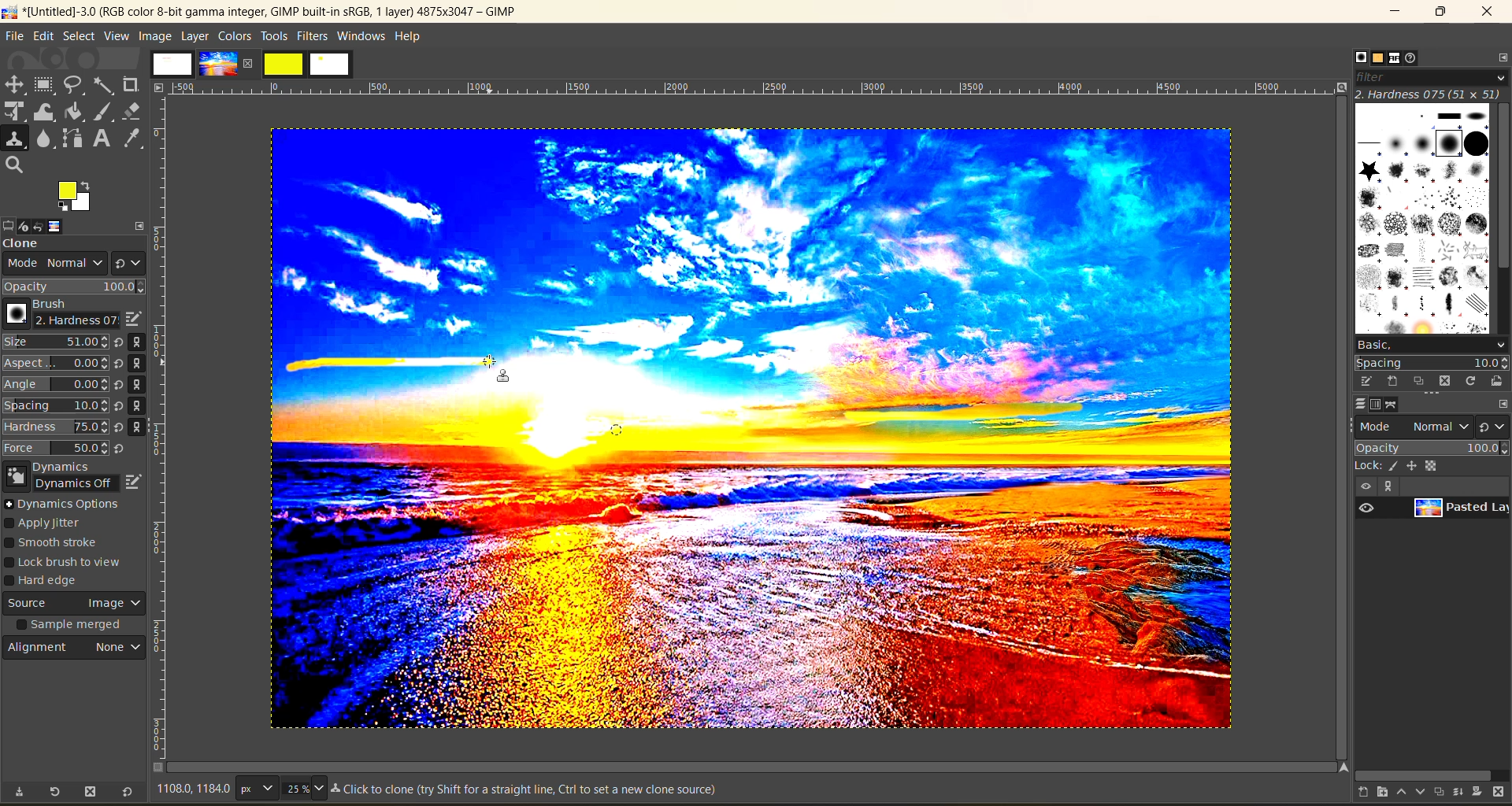 This screenshot has height=806, width=1512. I want to click on metadata, so click(528, 791).